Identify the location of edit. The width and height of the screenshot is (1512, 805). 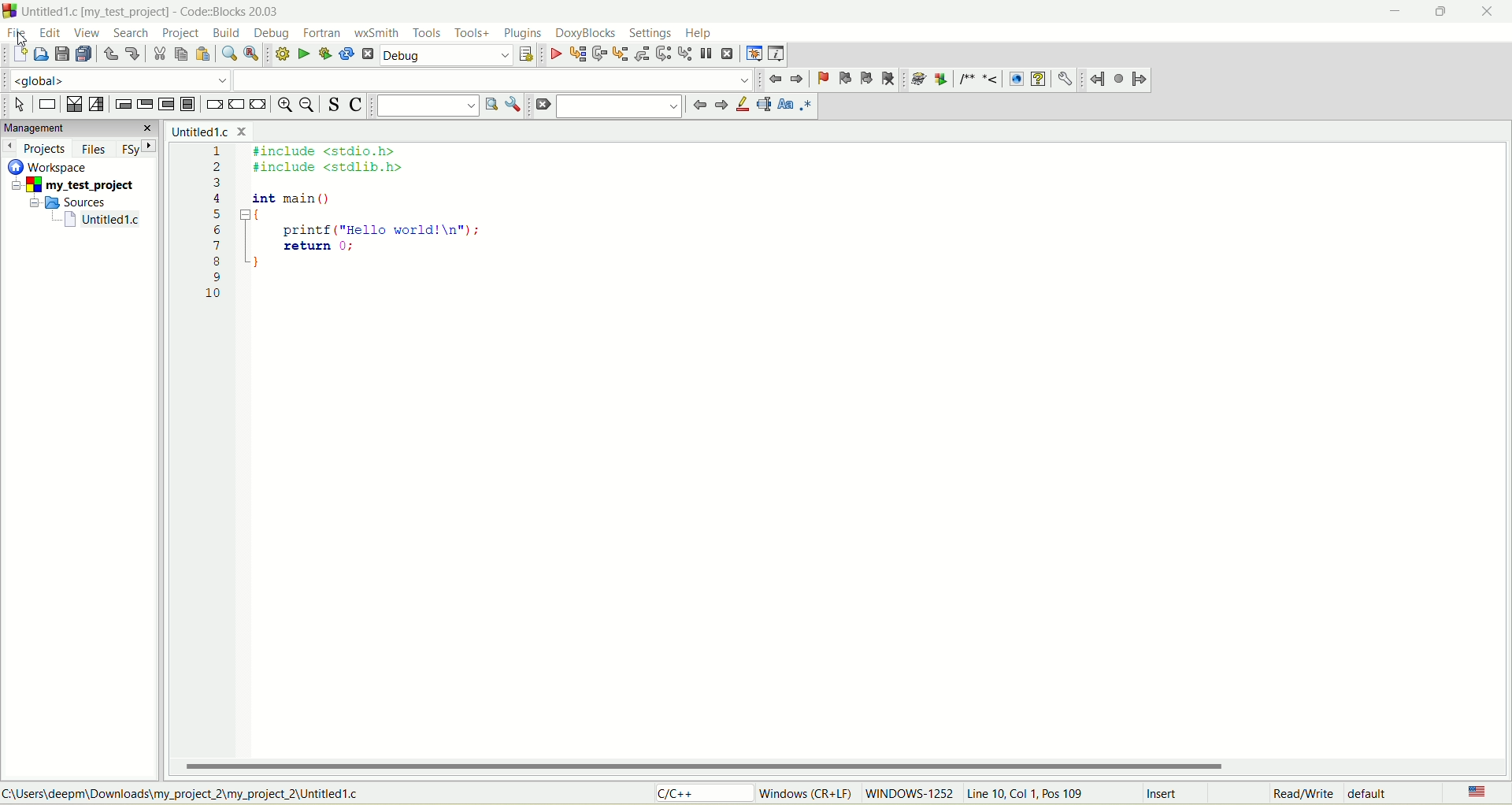
(52, 33).